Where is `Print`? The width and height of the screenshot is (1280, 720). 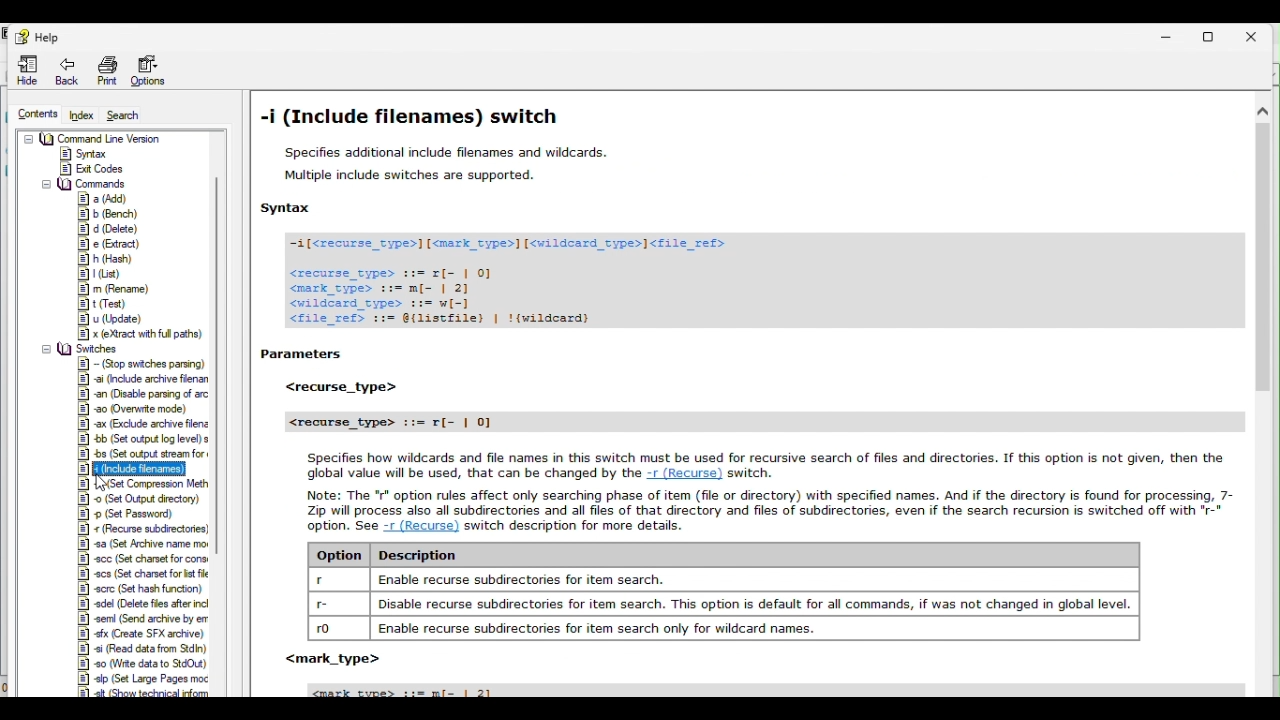
Print is located at coordinates (108, 69).